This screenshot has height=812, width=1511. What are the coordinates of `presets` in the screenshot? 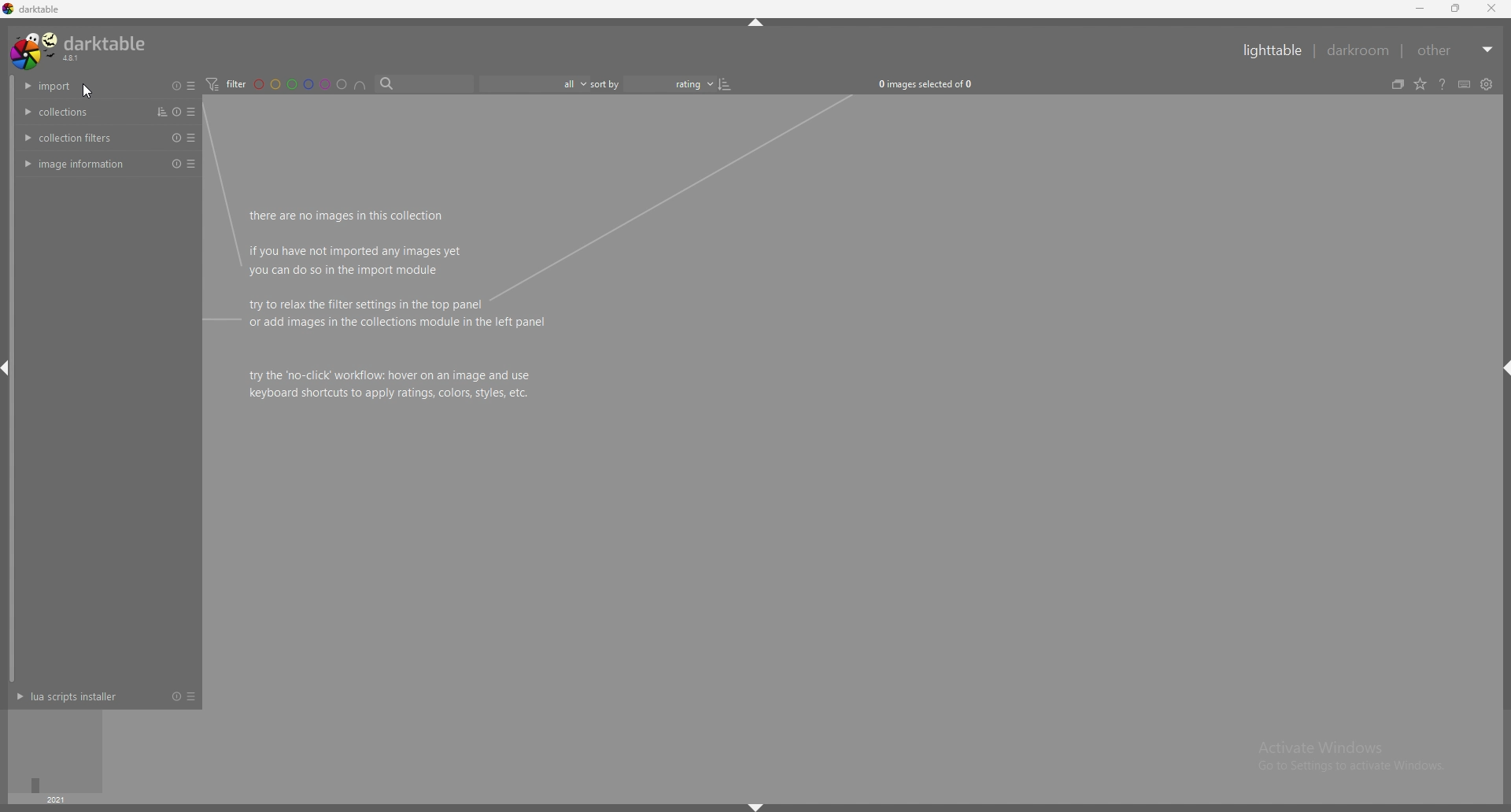 It's located at (190, 164).